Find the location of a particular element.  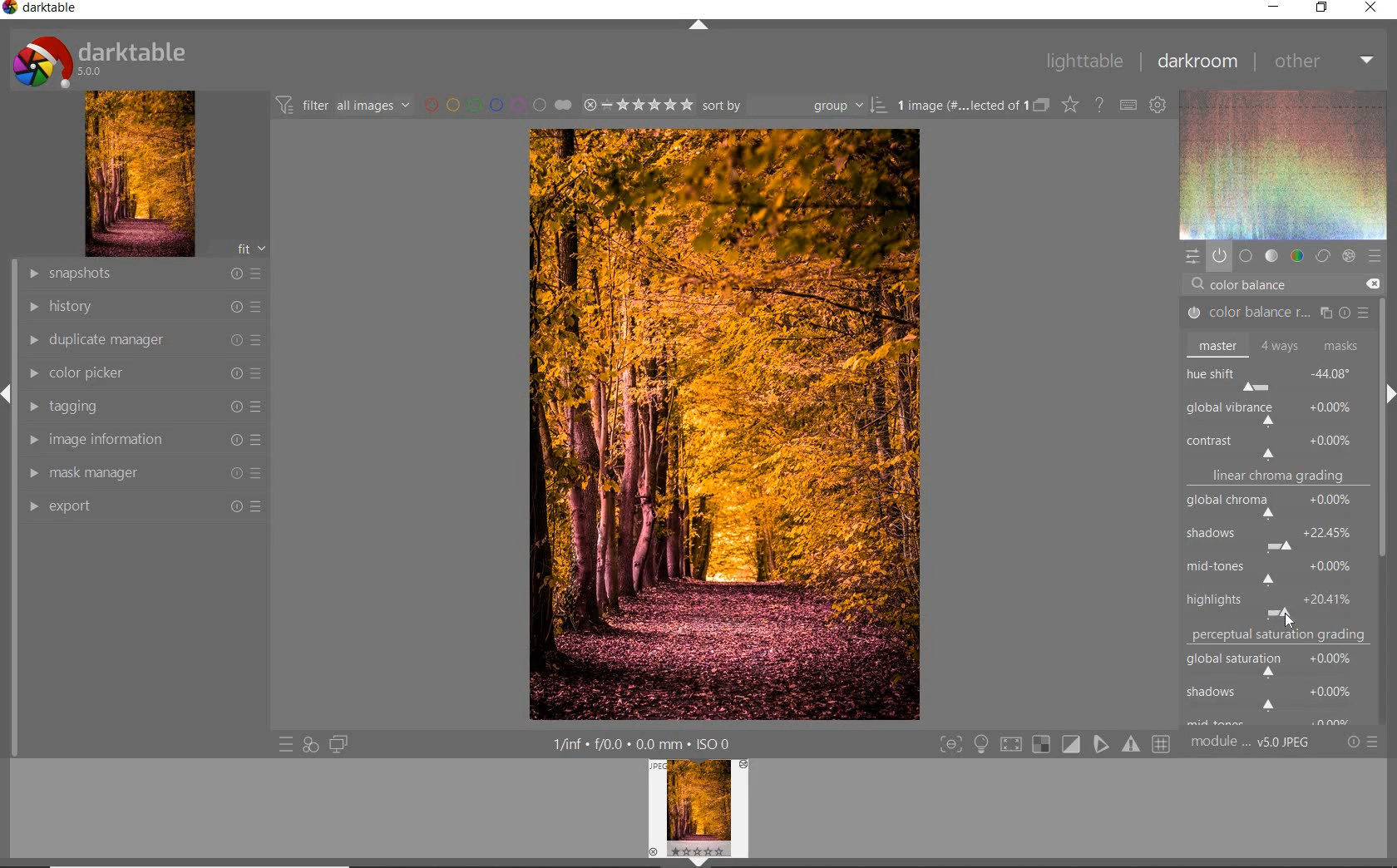

global saturation is located at coordinates (1278, 662).